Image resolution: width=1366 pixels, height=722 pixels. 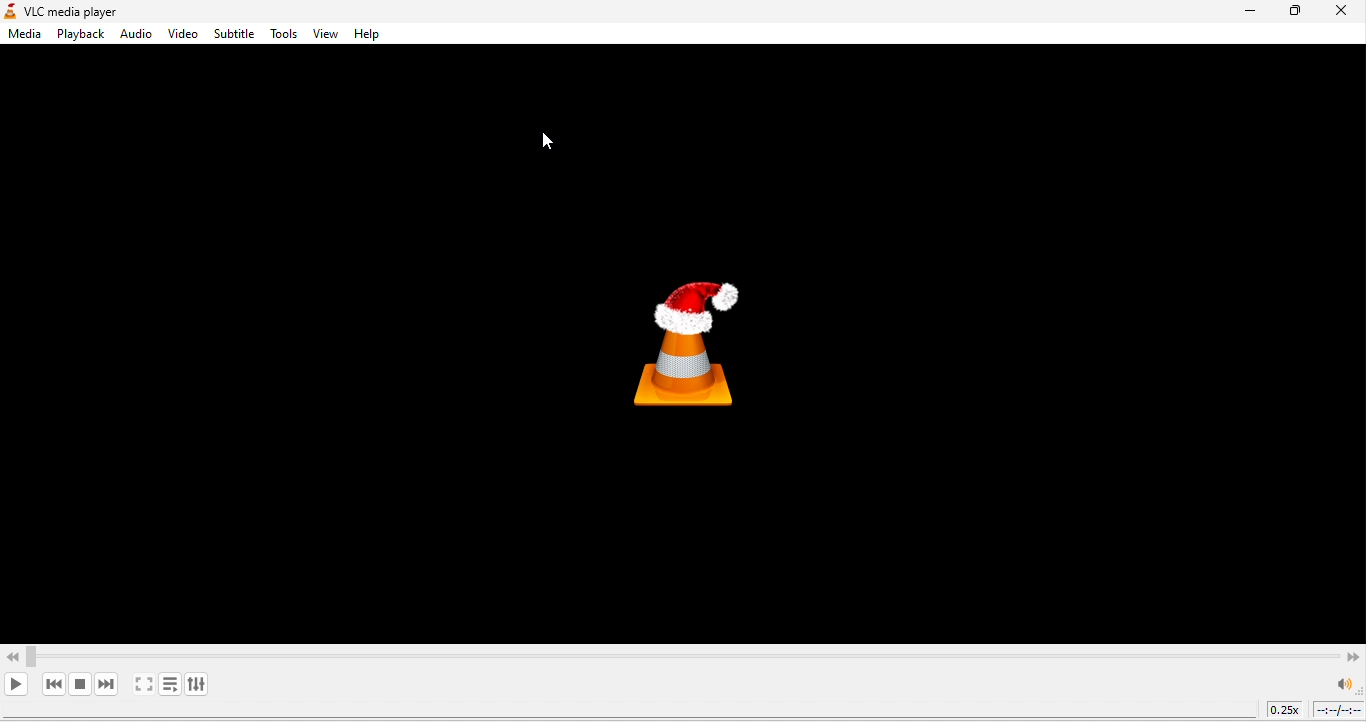 What do you see at coordinates (715, 335) in the screenshot?
I see `vlc media player logo` at bounding box center [715, 335].